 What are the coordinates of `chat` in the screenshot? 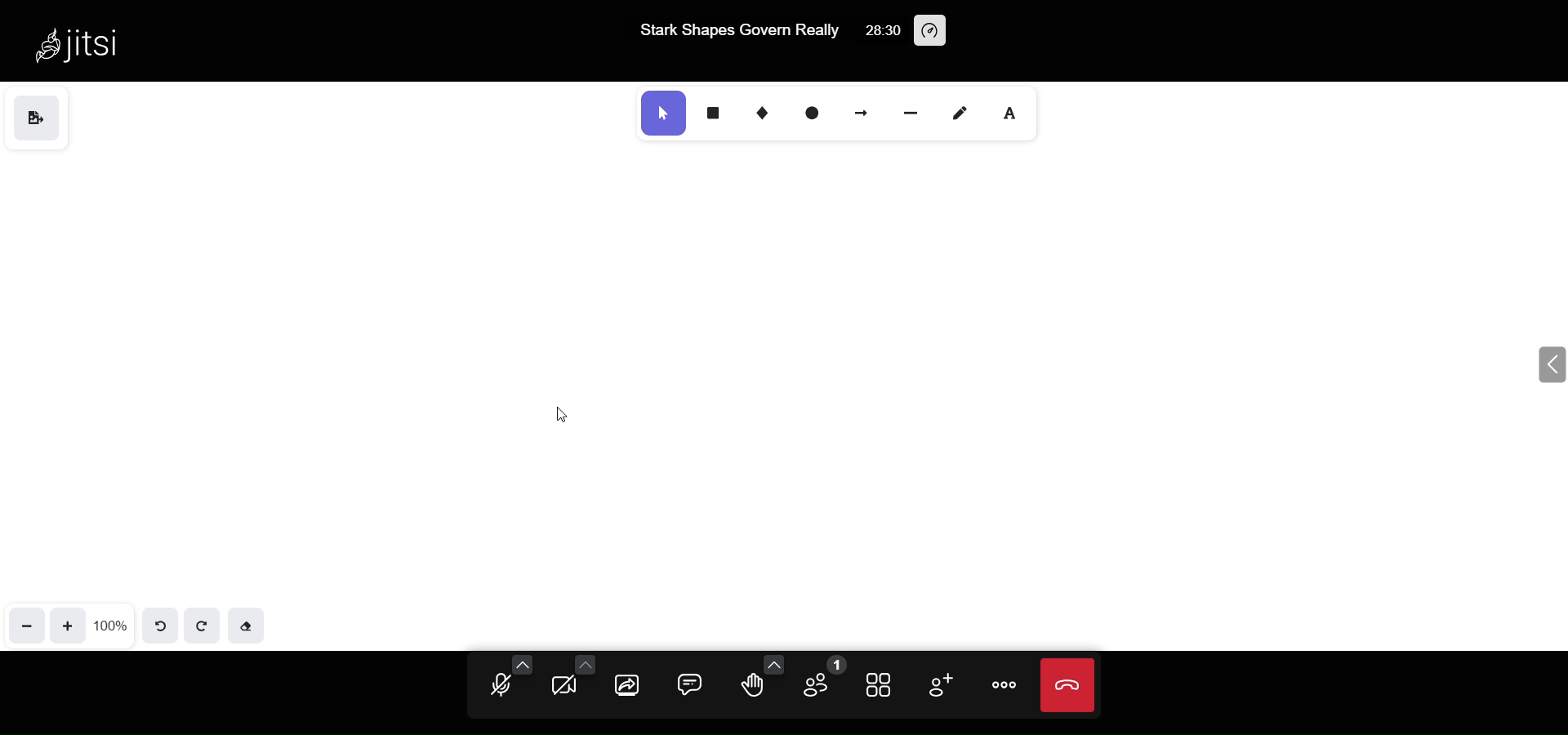 It's located at (686, 686).